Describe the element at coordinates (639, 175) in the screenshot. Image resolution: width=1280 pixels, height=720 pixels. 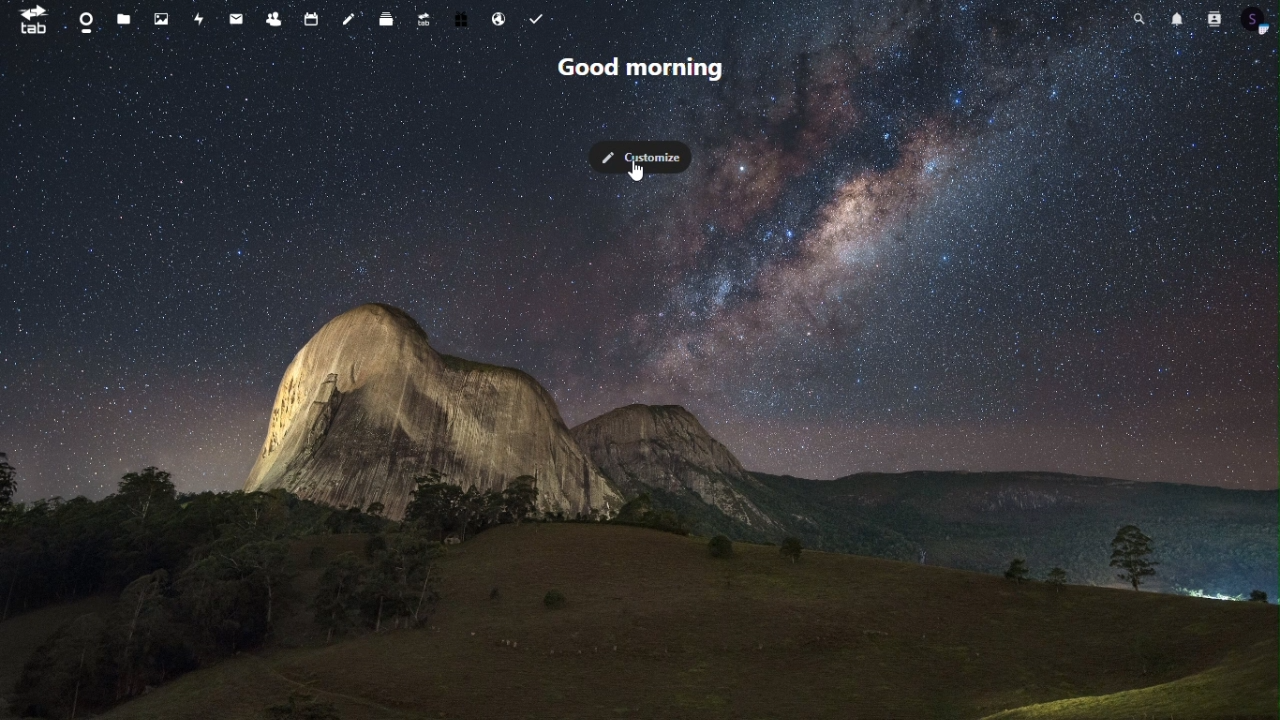
I see `Cursor` at that location.